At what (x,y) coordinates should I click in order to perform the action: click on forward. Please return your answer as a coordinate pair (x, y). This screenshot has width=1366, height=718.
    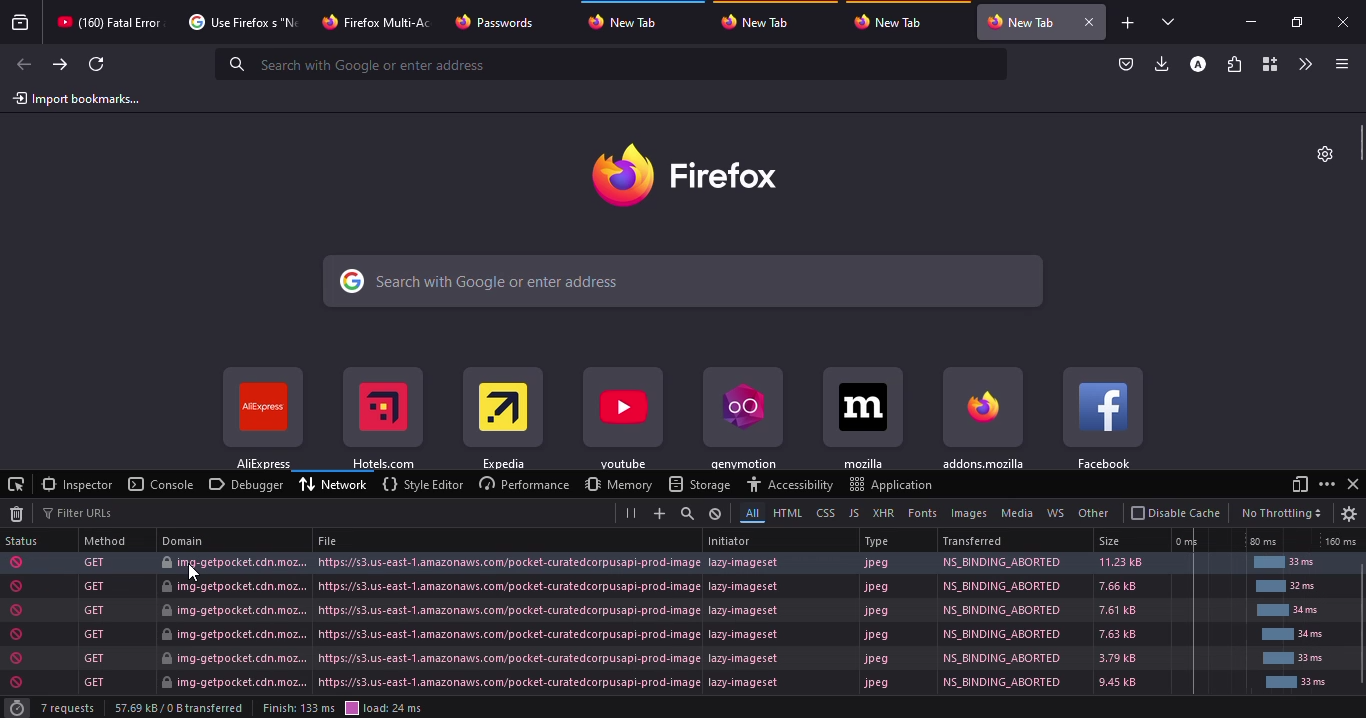
    Looking at the image, I should click on (58, 64).